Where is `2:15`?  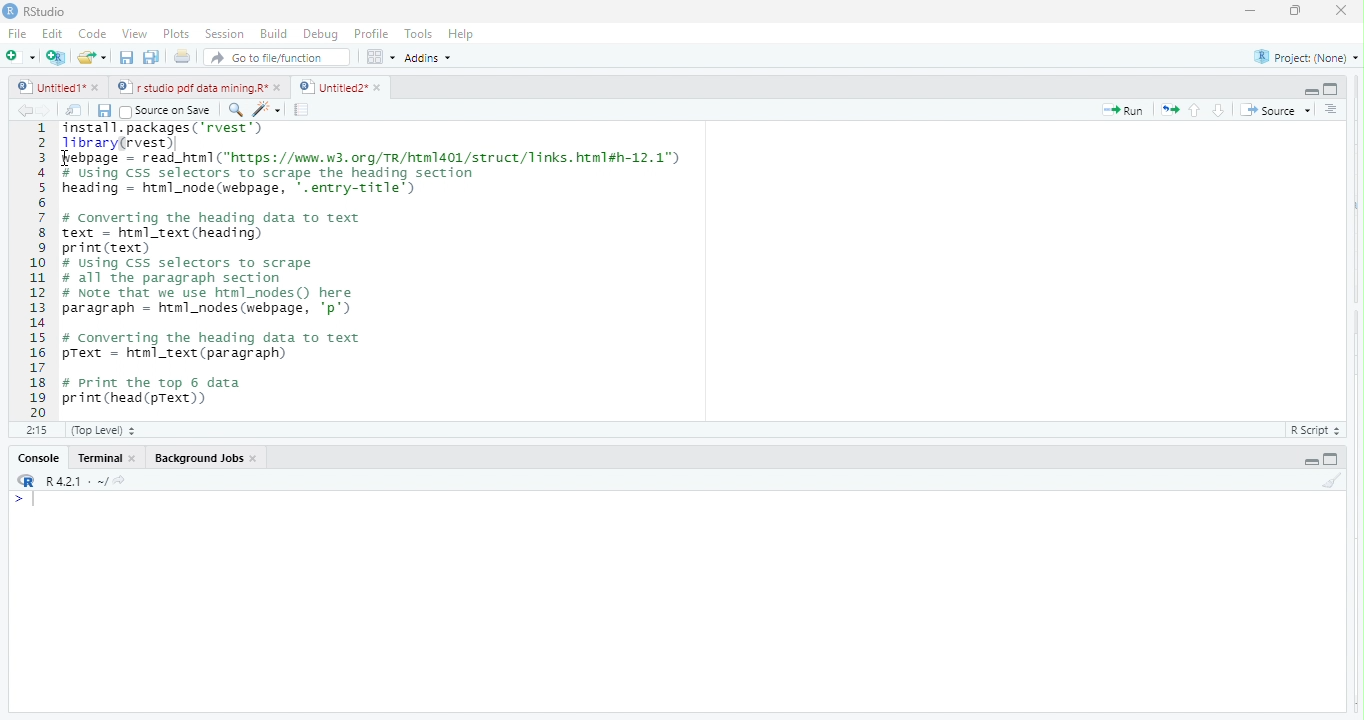 2:15 is located at coordinates (37, 429).